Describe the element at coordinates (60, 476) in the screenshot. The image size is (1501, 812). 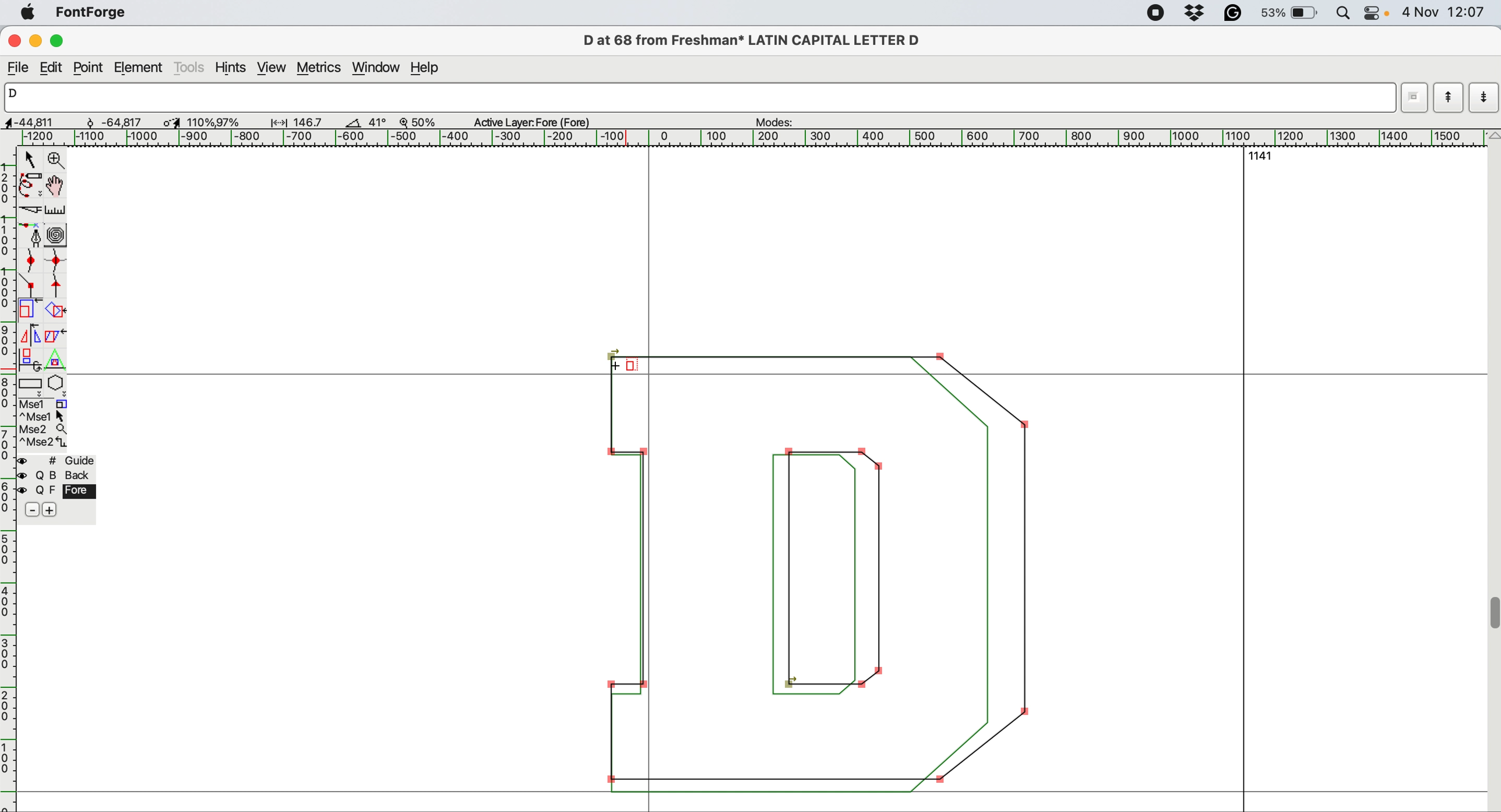
I see `Q B back` at that location.